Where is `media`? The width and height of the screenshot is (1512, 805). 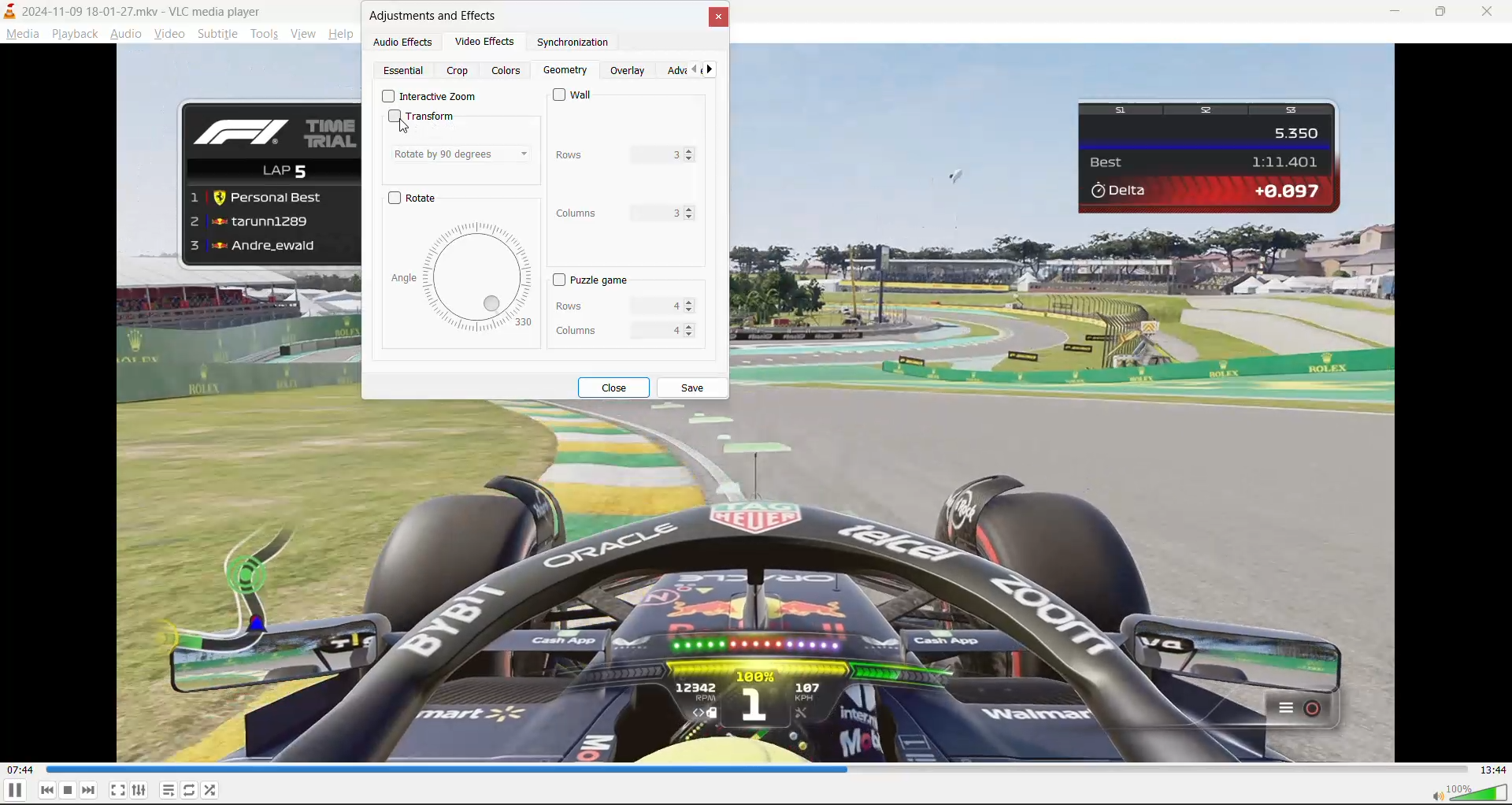
media is located at coordinates (20, 34).